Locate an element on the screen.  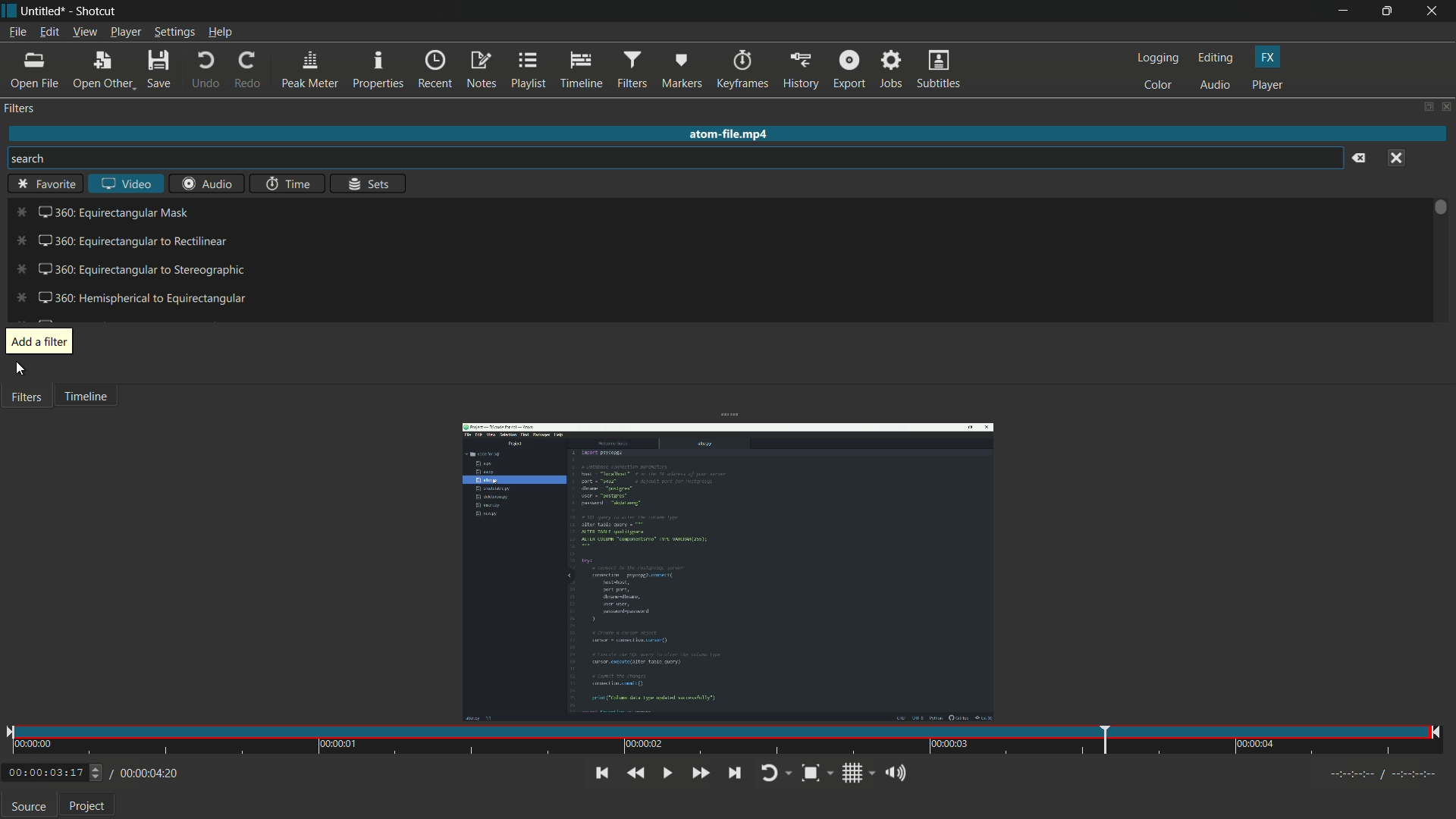
close app is located at coordinates (1436, 11).